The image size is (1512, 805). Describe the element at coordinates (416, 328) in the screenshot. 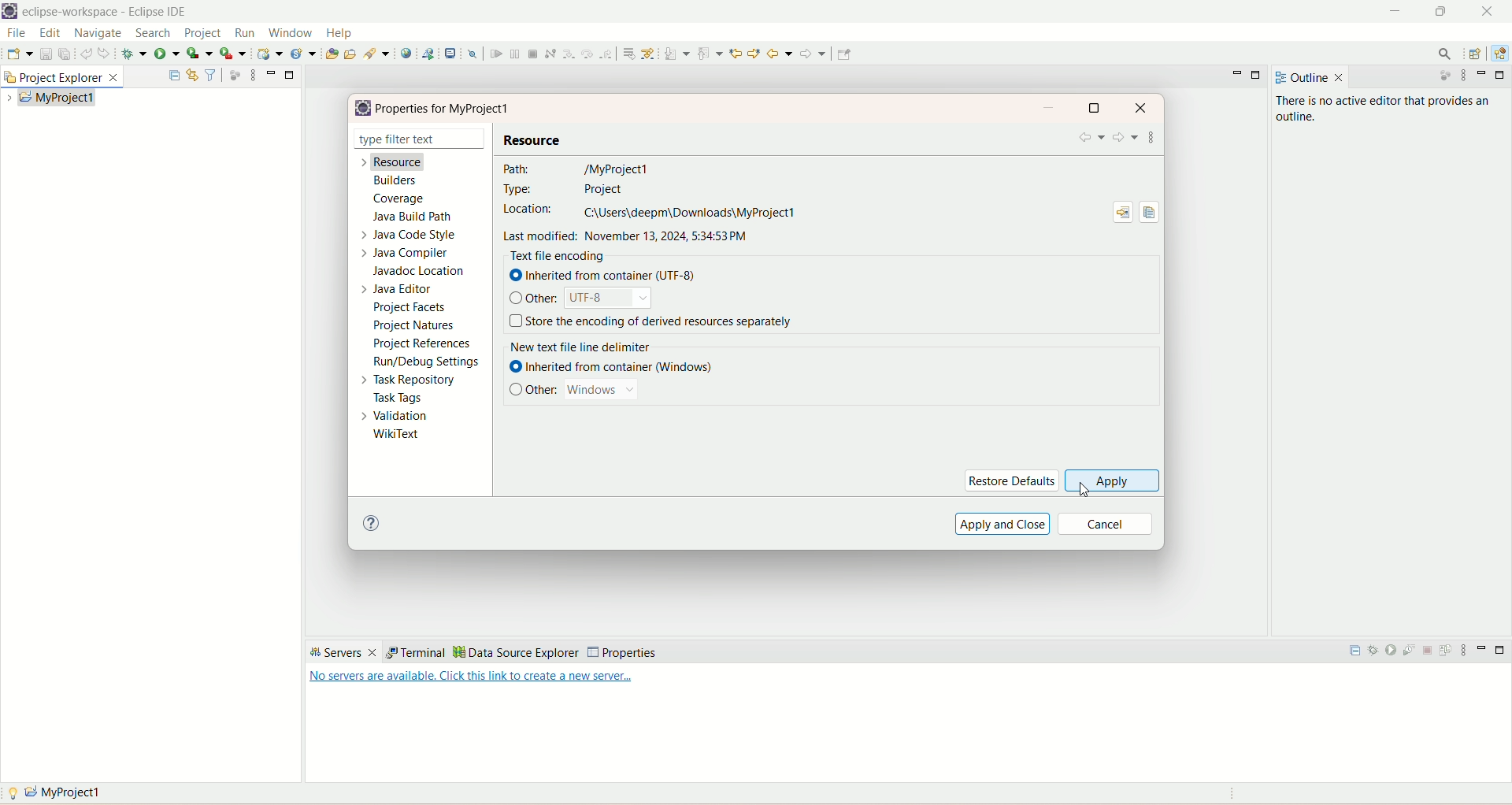

I see `project natures` at that location.